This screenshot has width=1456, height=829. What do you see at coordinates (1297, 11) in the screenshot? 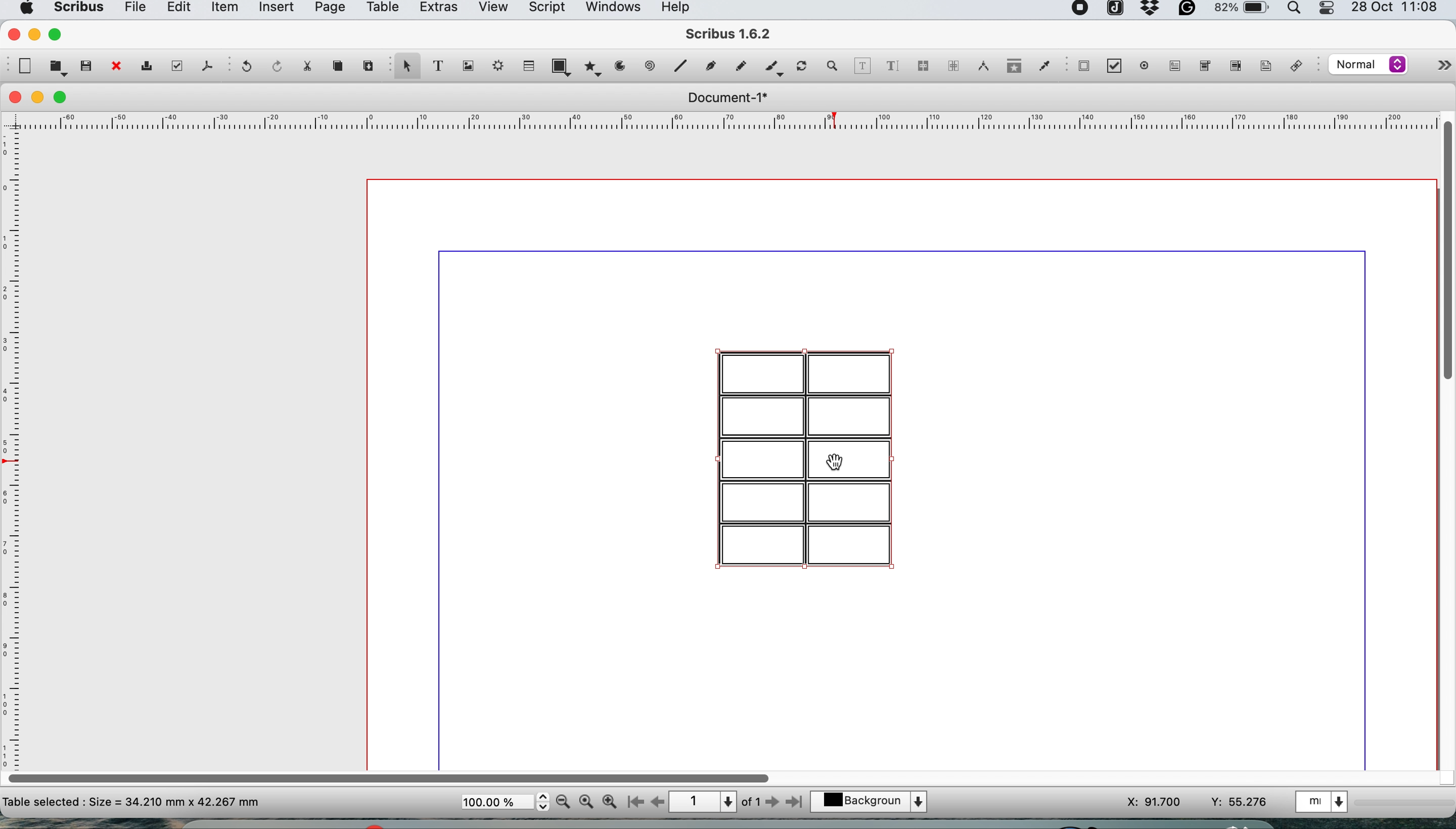
I see `spotlight search` at bounding box center [1297, 11].